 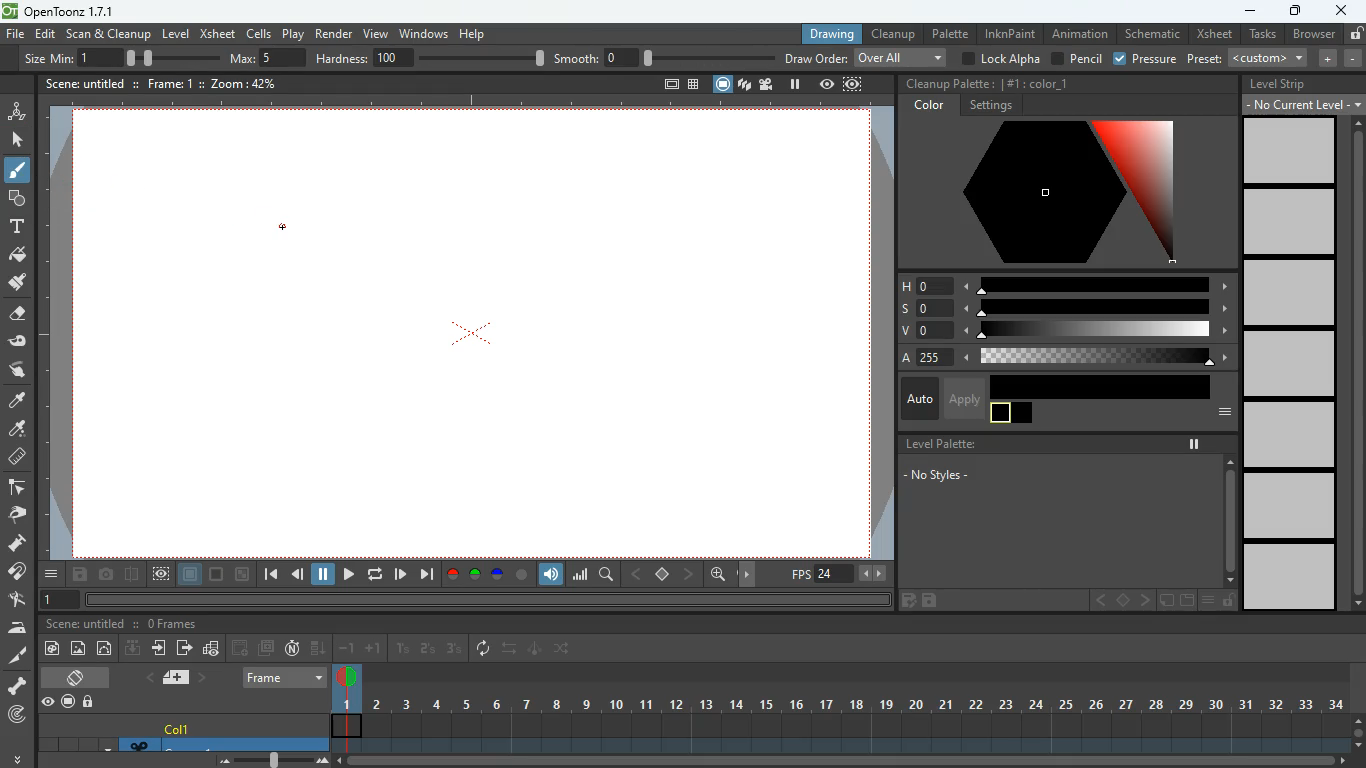 I want to click on move, so click(x=161, y=648).